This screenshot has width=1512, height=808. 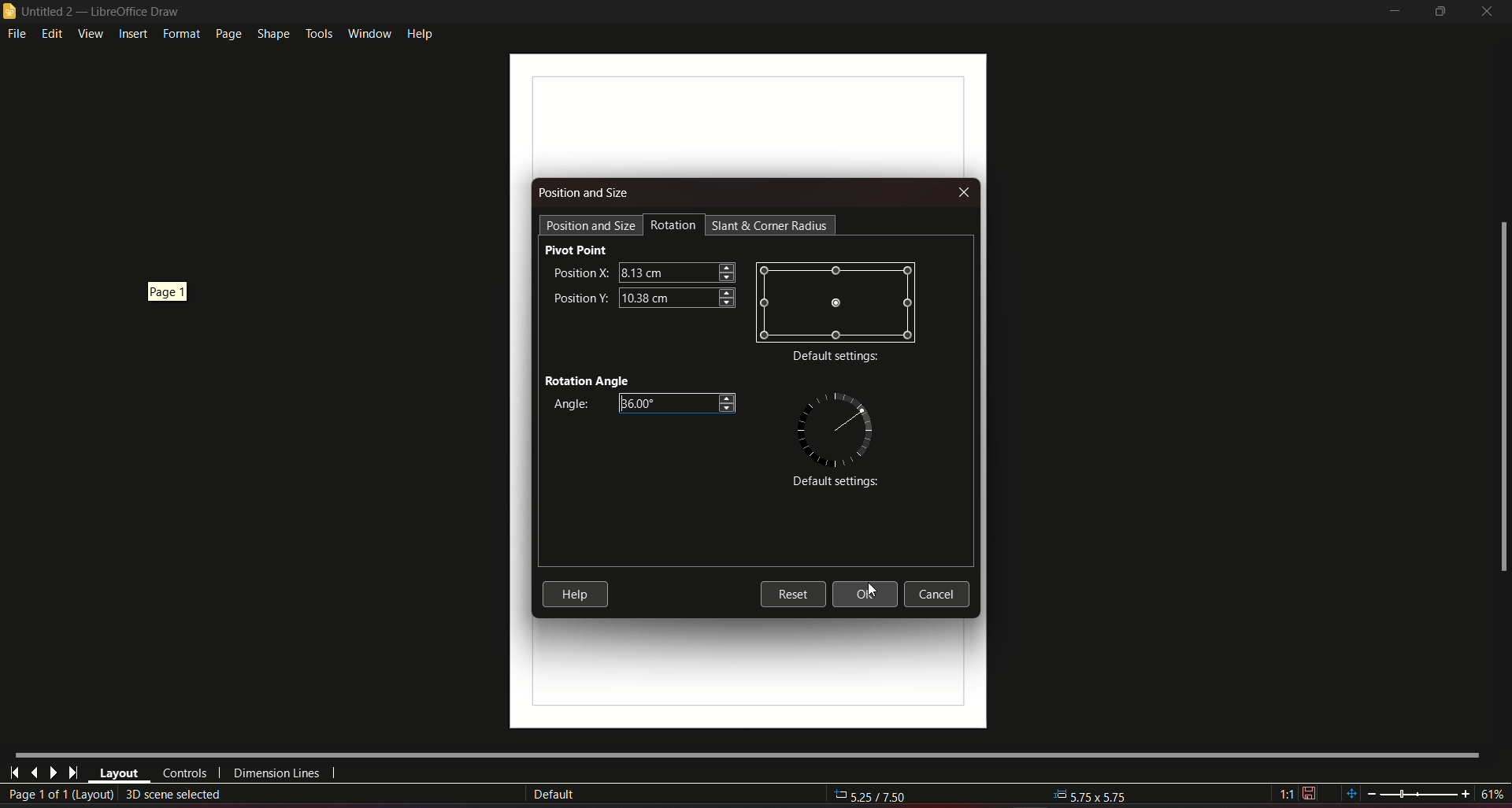 What do you see at coordinates (183, 773) in the screenshot?
I see `controls` at bounding box center [183, 773].